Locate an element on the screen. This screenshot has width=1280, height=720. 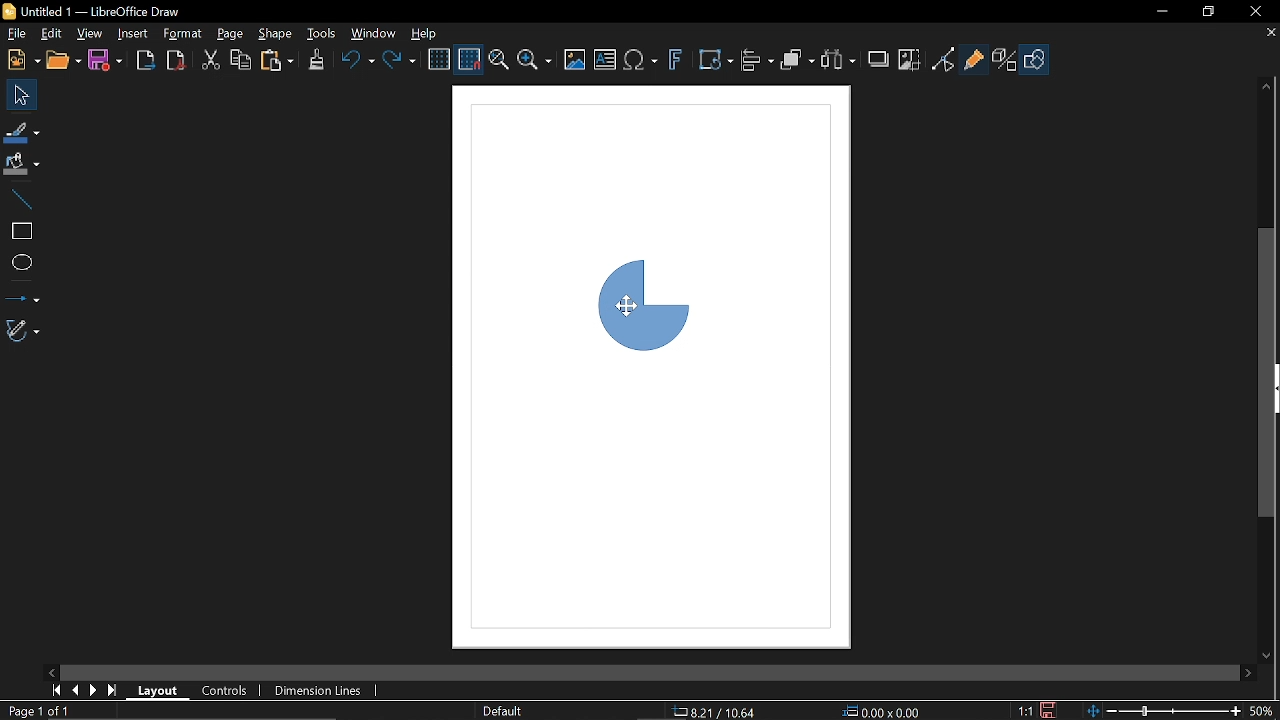
cursor is located at coordinates (626, 303).